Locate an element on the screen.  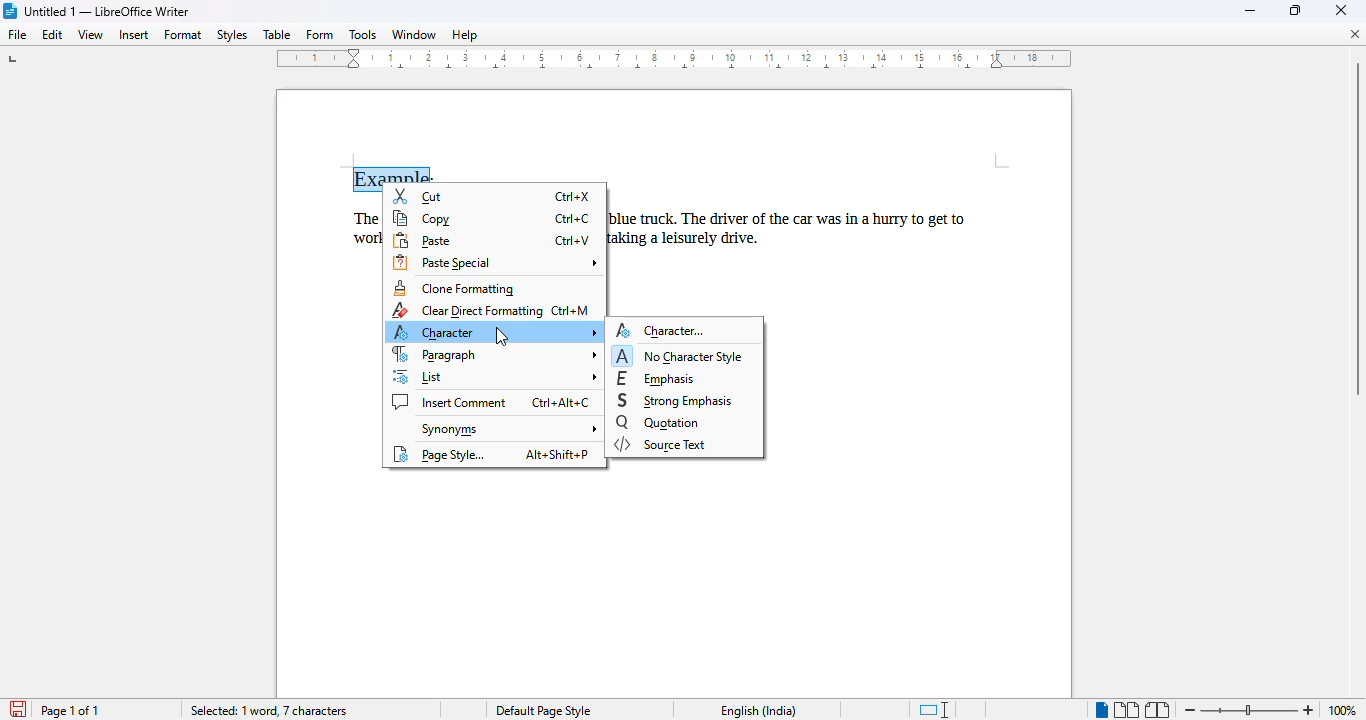
Ctrl+V is located at coordinates (573, 240).